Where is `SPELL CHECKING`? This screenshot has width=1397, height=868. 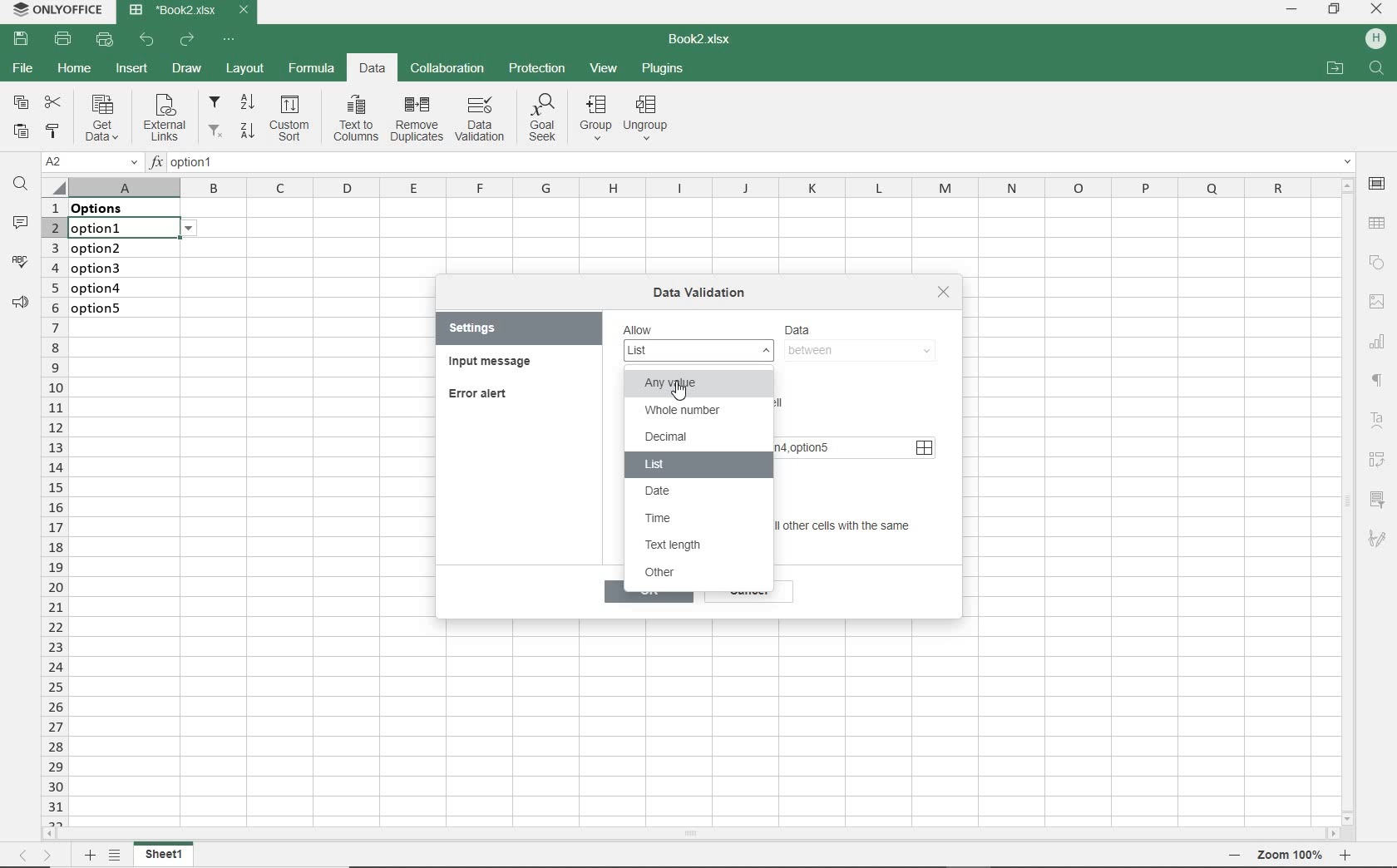 SPELL CHECKING is located at coordinates (17, 259).